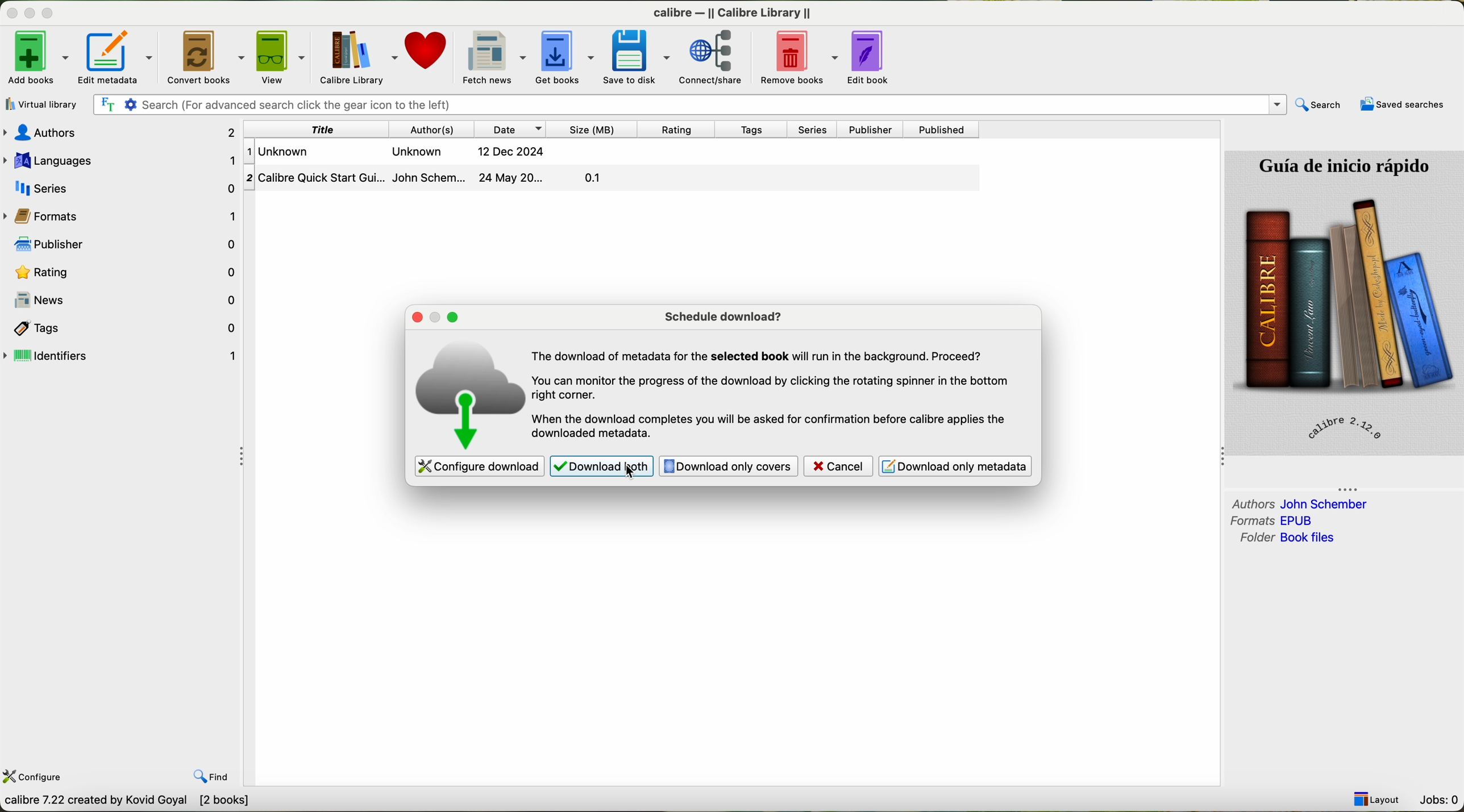 Image resolution: width=1464 pixels, height=812 pixels. I want to click on edit metadata, so click(120, 55).